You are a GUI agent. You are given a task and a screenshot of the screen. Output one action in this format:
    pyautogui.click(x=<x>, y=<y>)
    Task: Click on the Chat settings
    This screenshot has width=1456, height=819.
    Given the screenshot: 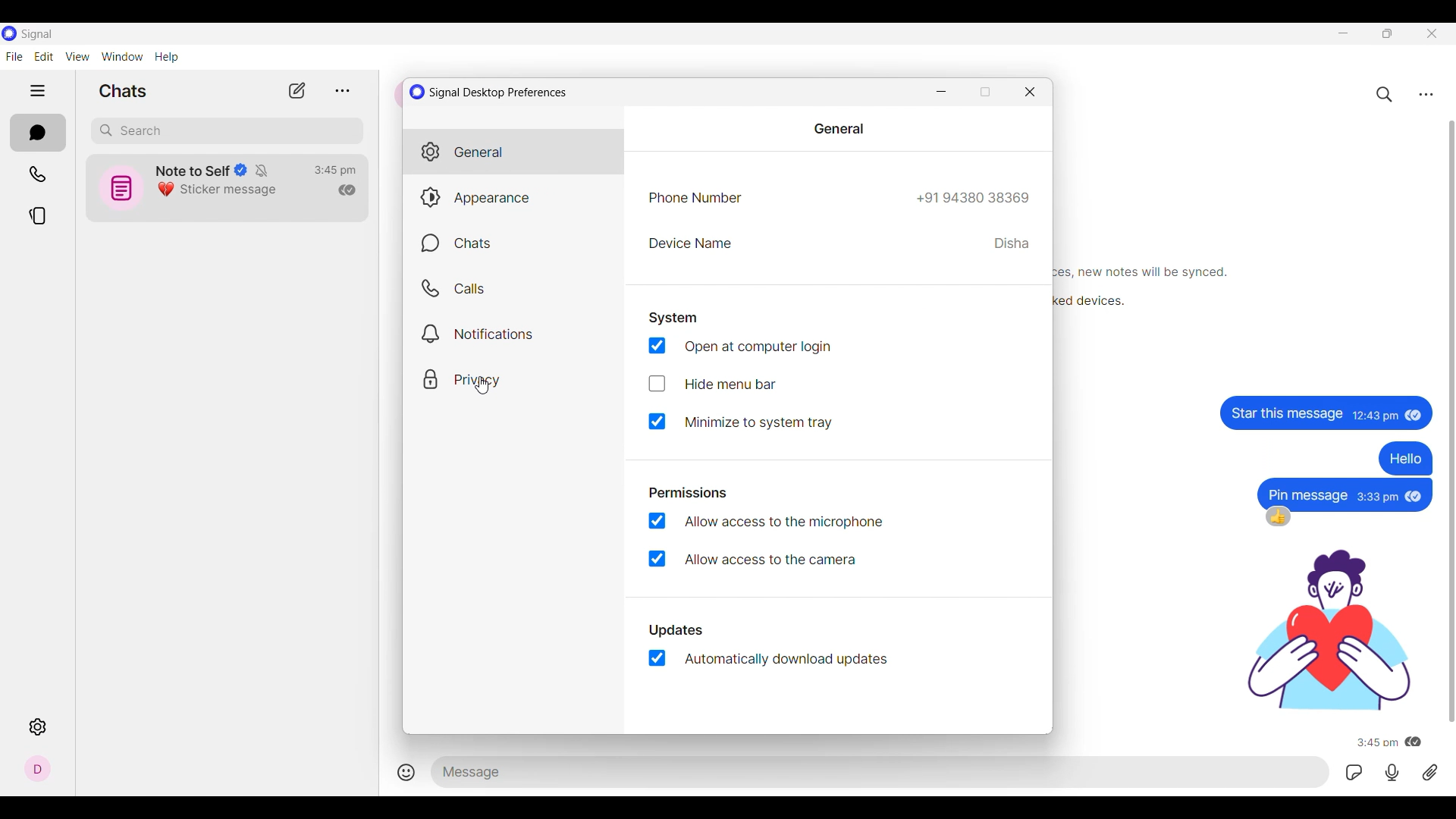 What is the action you would take?
    pyautogui.click(x=1426, y=95)
    